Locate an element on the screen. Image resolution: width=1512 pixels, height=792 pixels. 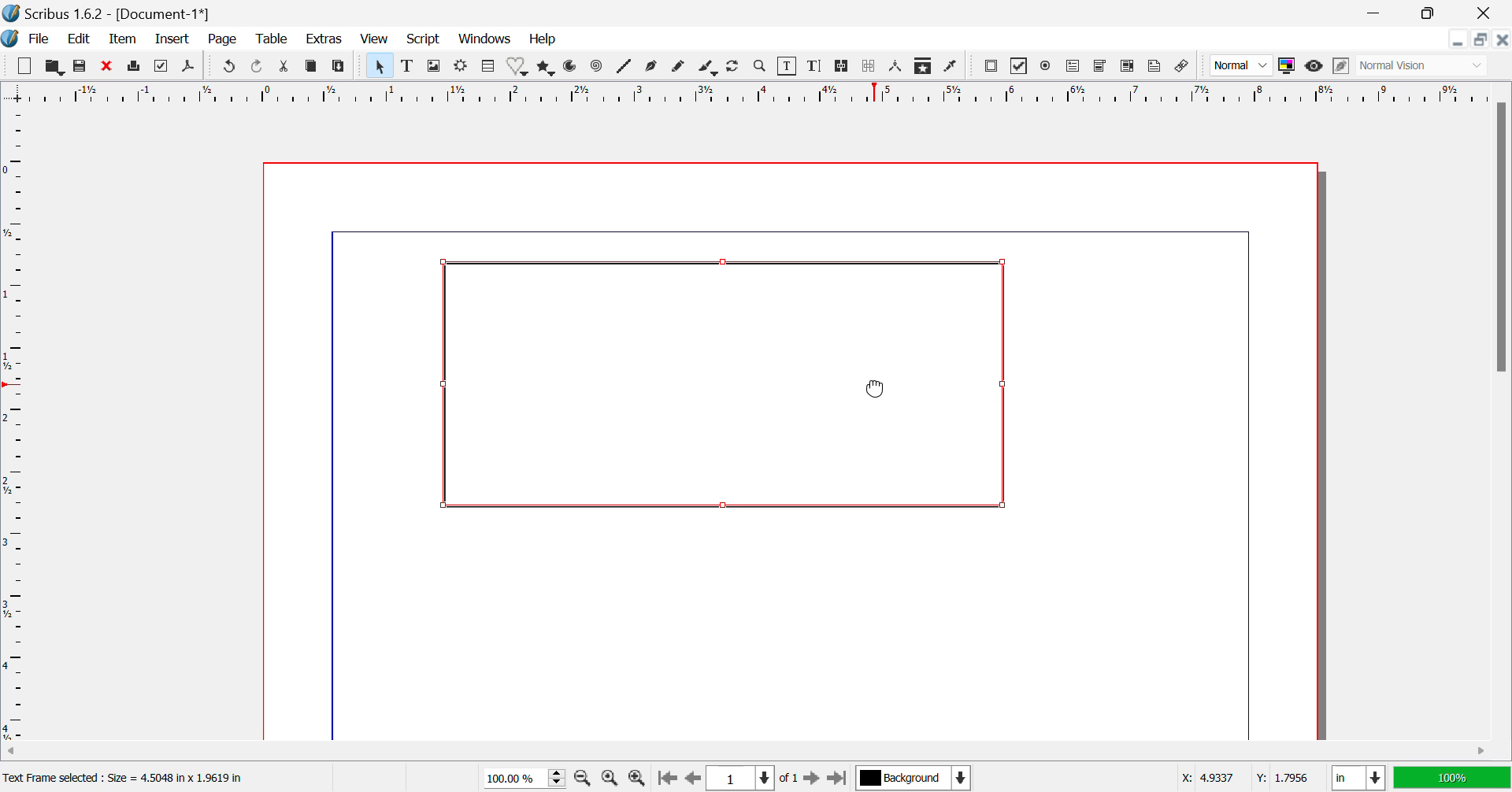
Zoom is located at coordinates (762, 68).